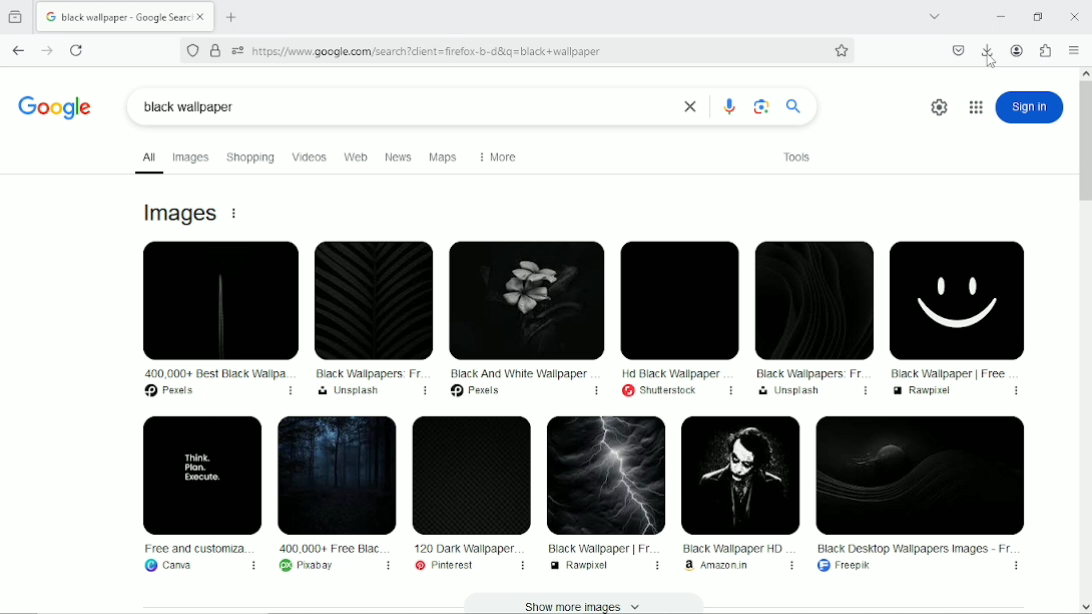  Describe the element at coordinates (726, 107) in the screenshot. I see `google mic` at that location.